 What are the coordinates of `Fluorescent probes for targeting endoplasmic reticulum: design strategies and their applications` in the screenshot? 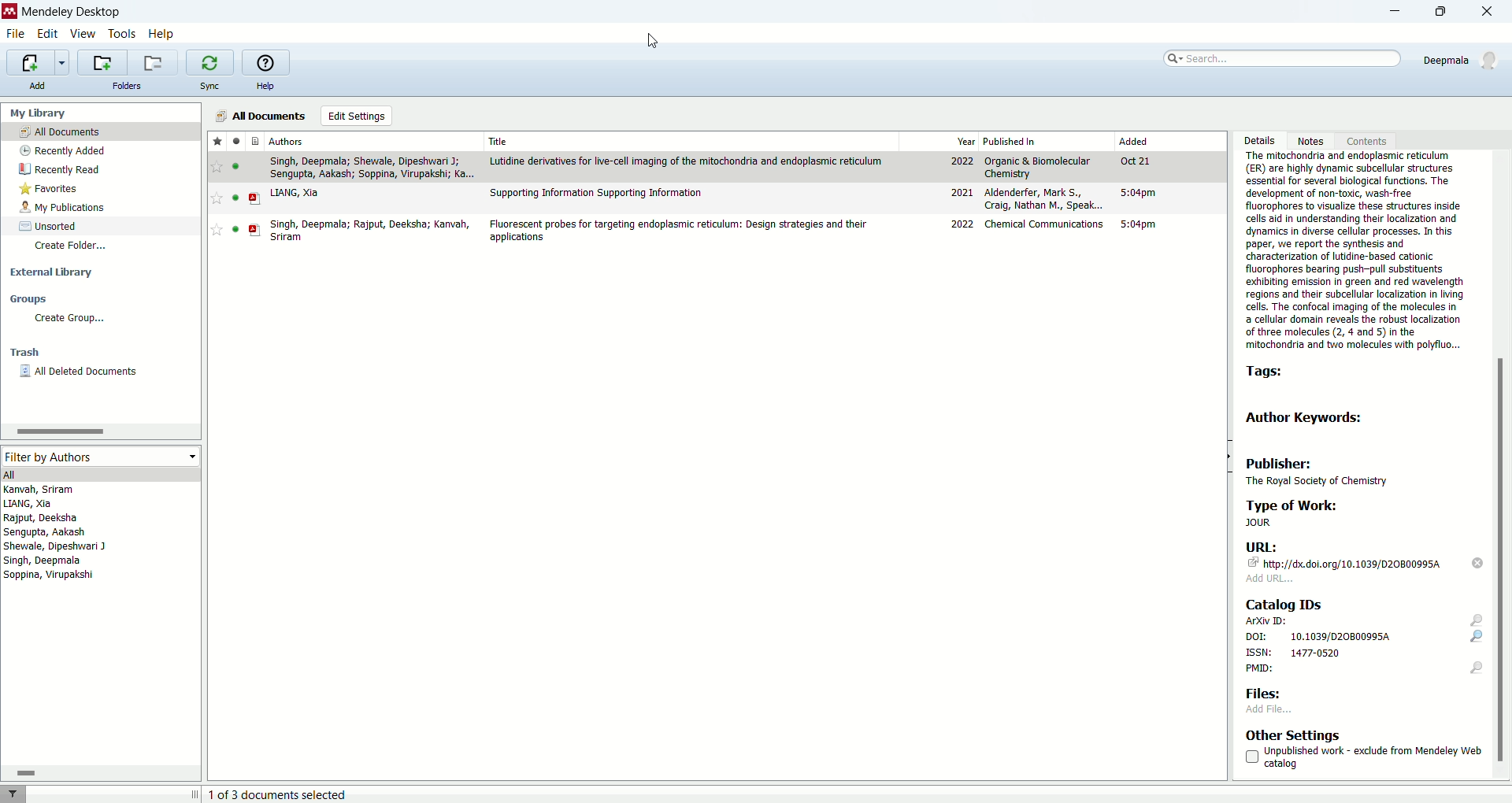 It's located at (677, 231).